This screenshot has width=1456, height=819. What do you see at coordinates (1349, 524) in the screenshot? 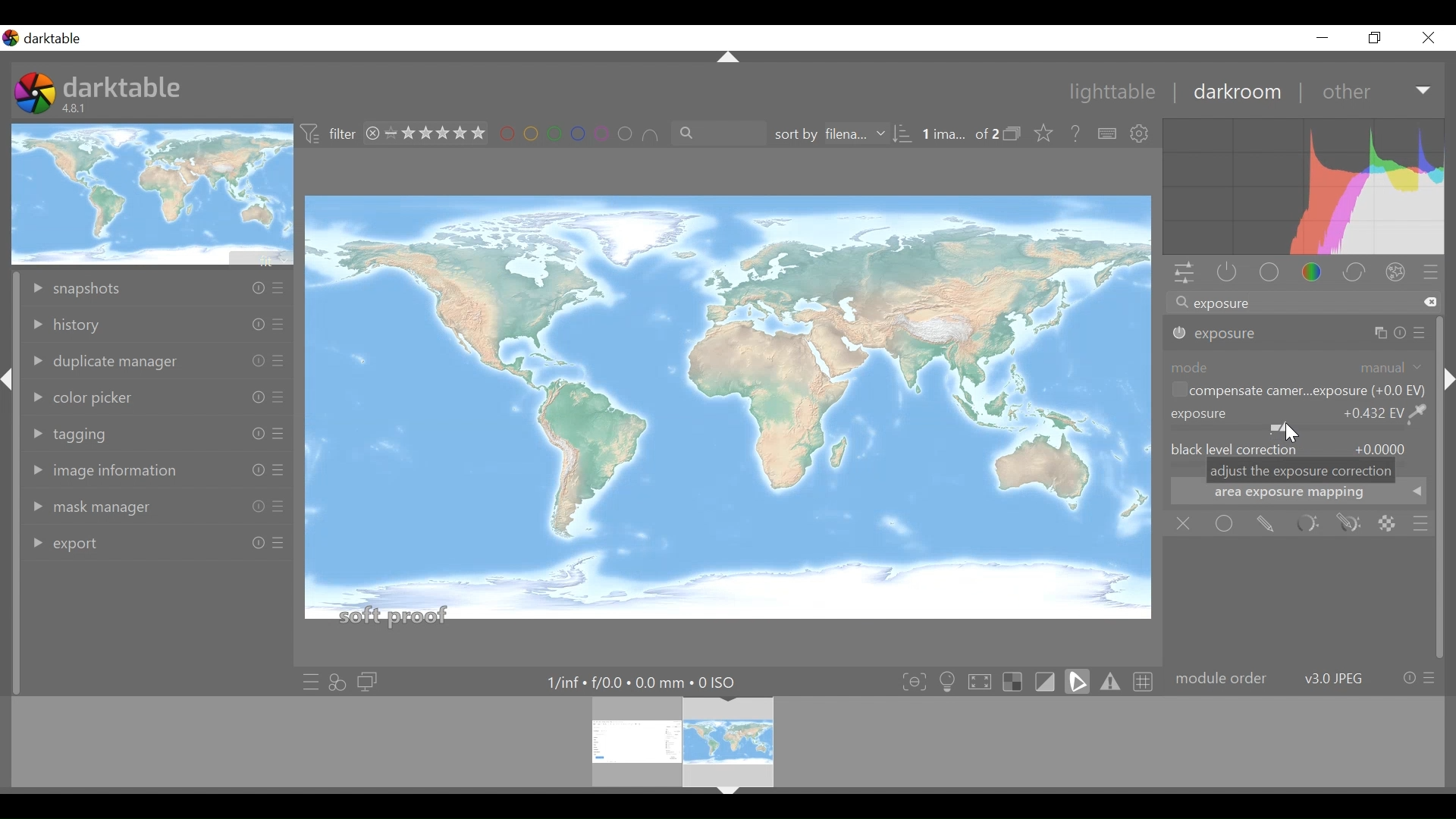
I see `` at bounding box center [1349, 524].